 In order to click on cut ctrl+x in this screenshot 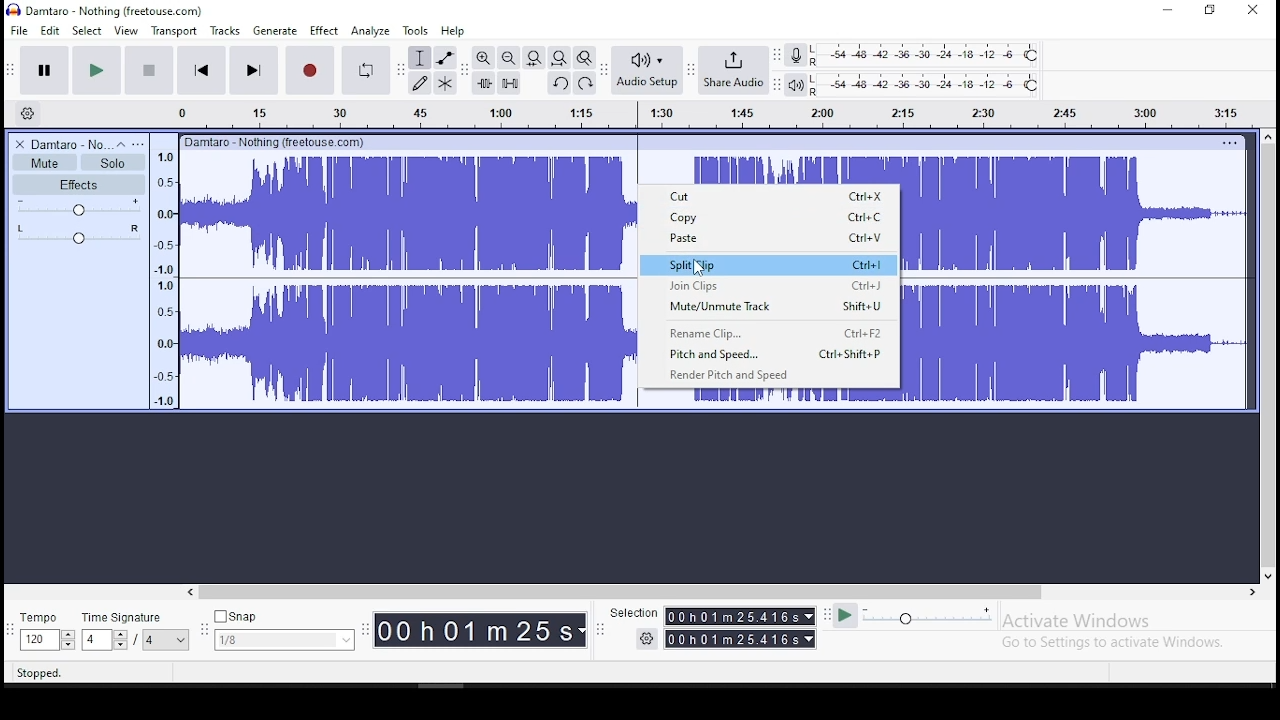, I will do `click(779, 196)`.